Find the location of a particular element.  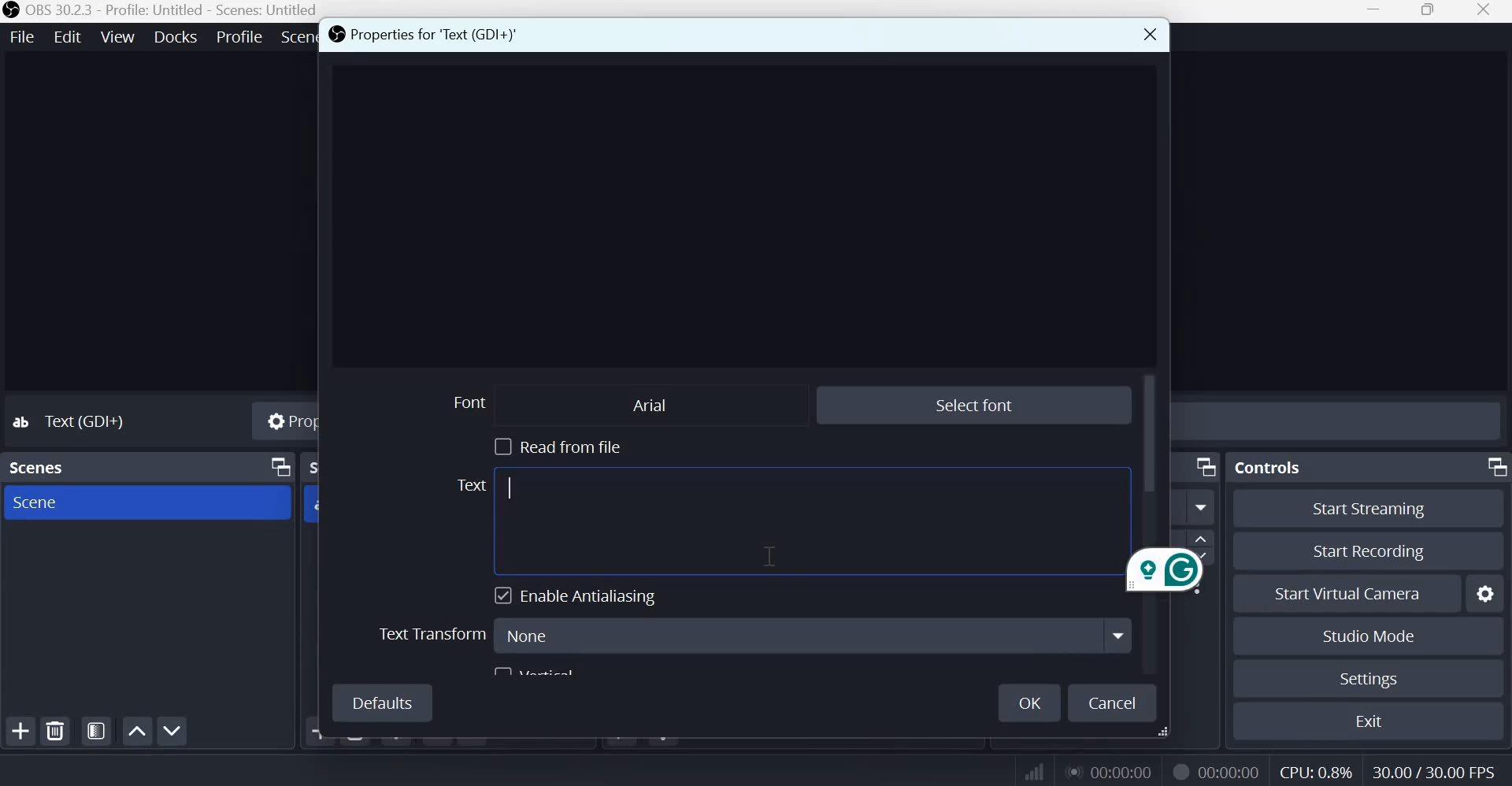

Configure virtual camera is located at coordinates (1485, 594).